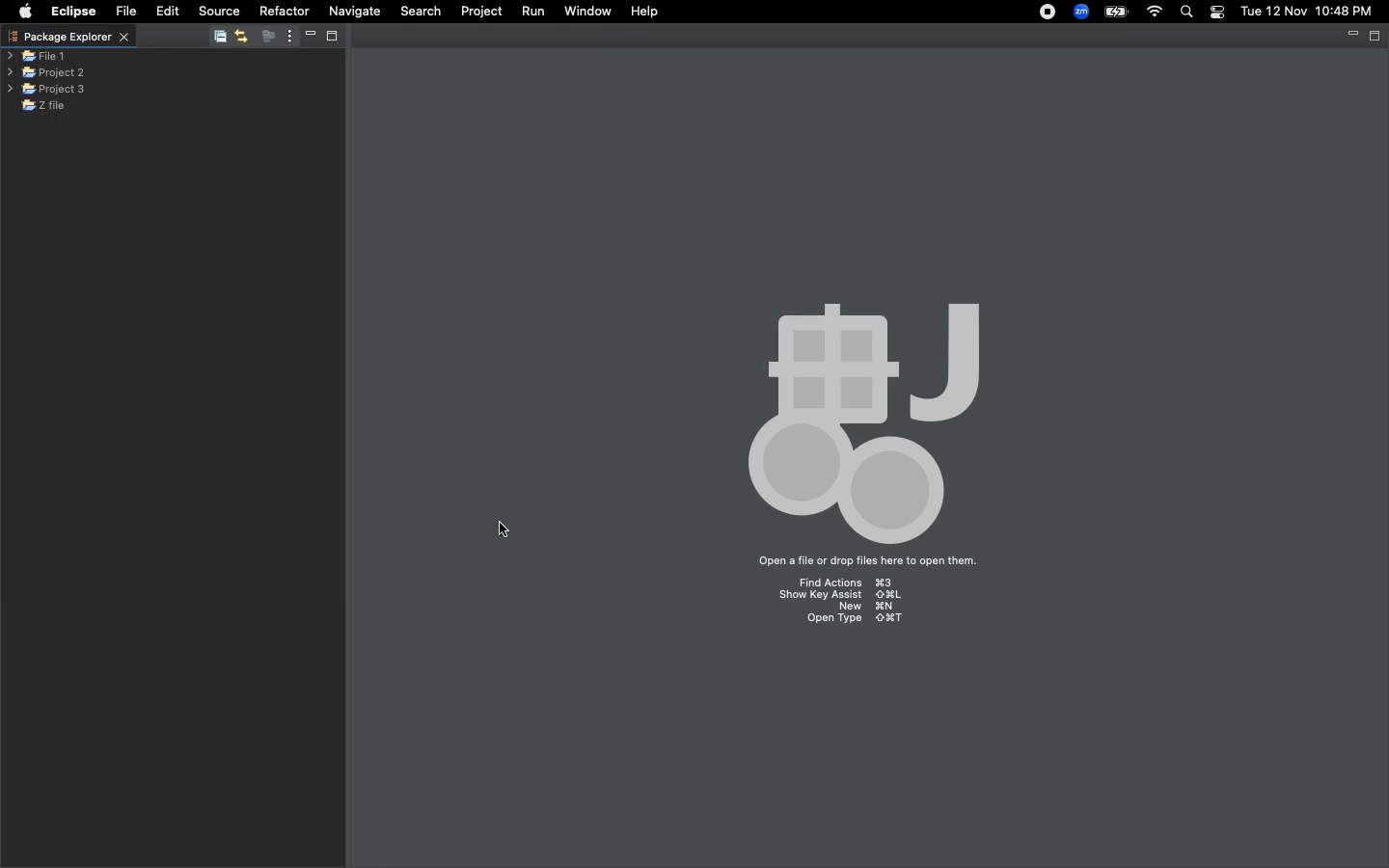  I want to click on Run, so click(529, 12).